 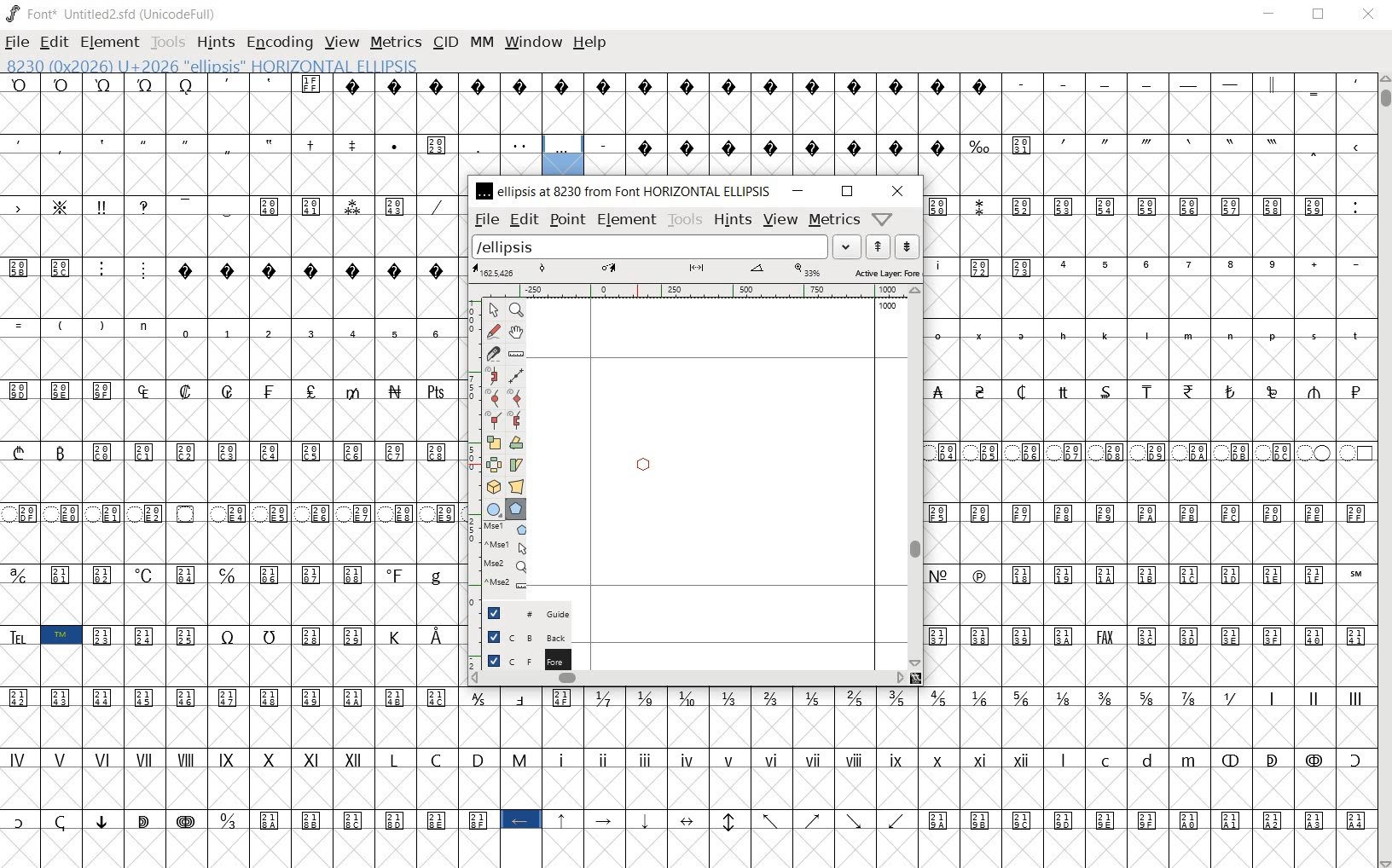 I want to click on change whether spiro is active or not, so click(x=514, y=373).